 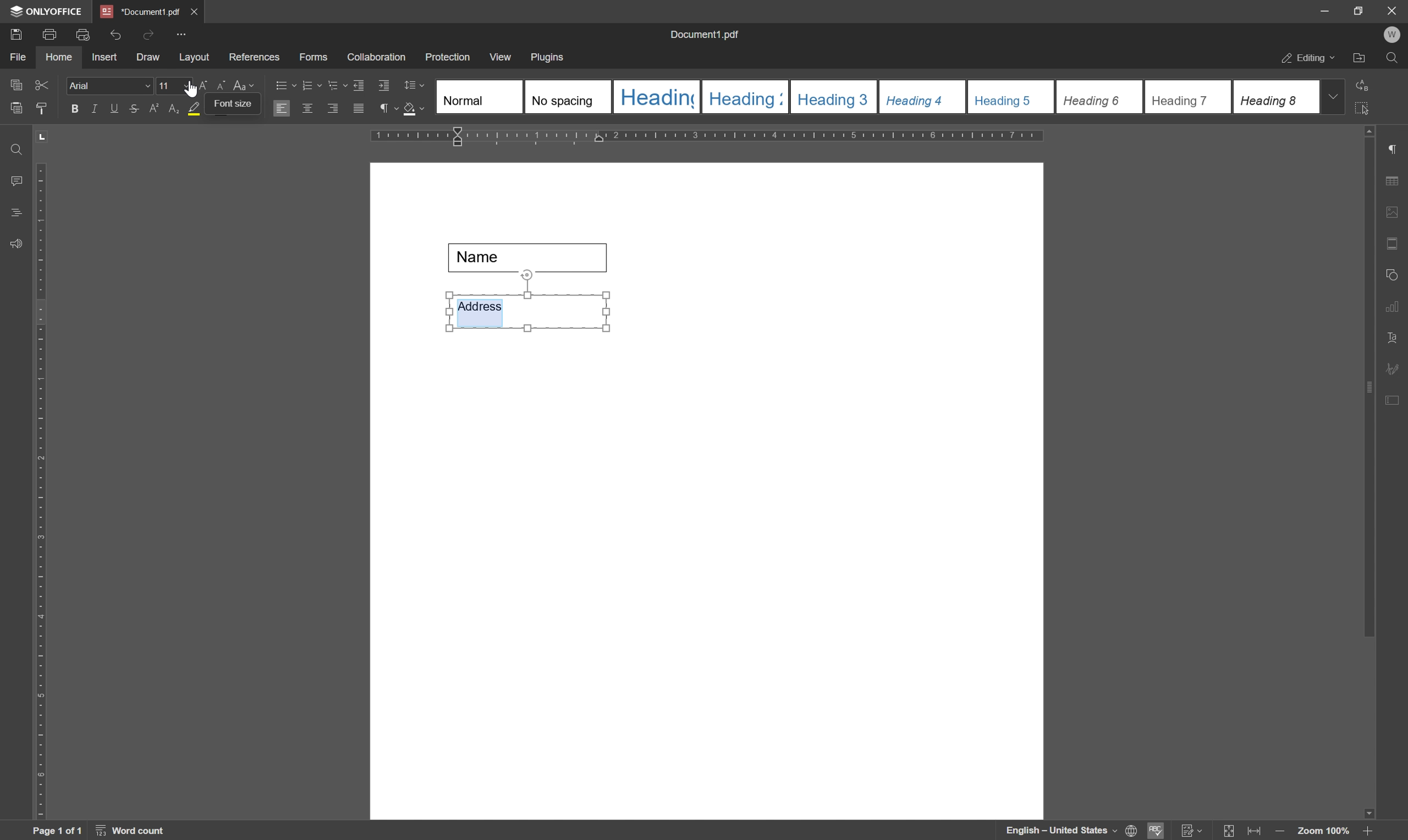 I want to click on header & footer, so click(x=1394, y=245).